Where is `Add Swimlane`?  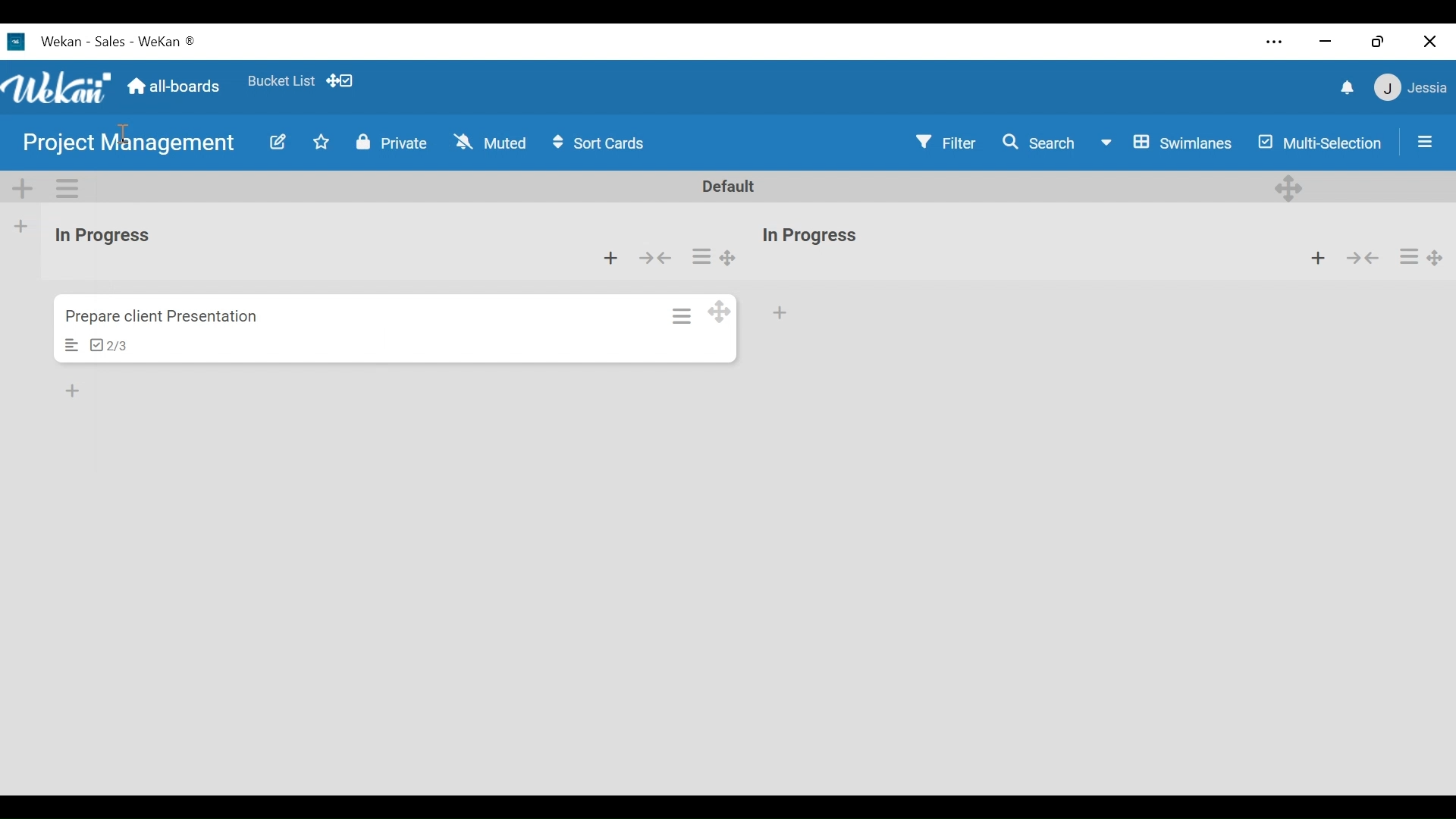
Add Swimlane is located at coordinates (20, 187).